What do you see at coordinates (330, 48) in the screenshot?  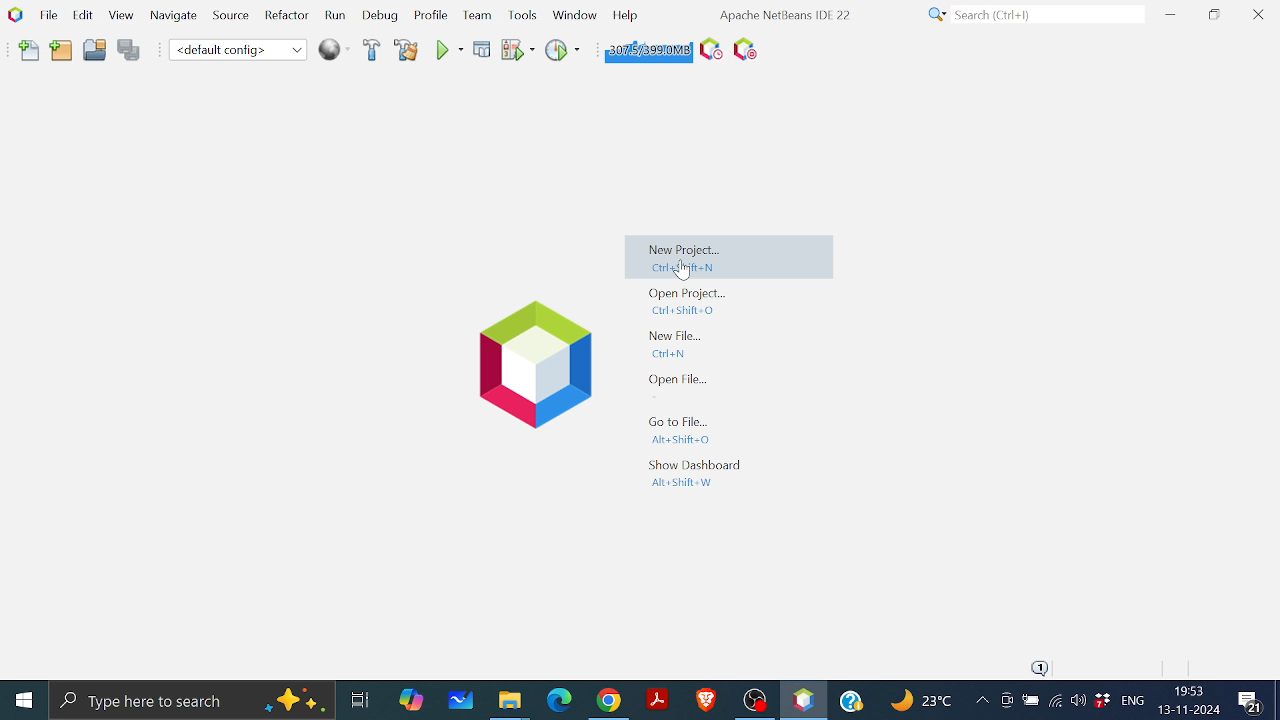 I see `Web` at bounding box center [330, 48].